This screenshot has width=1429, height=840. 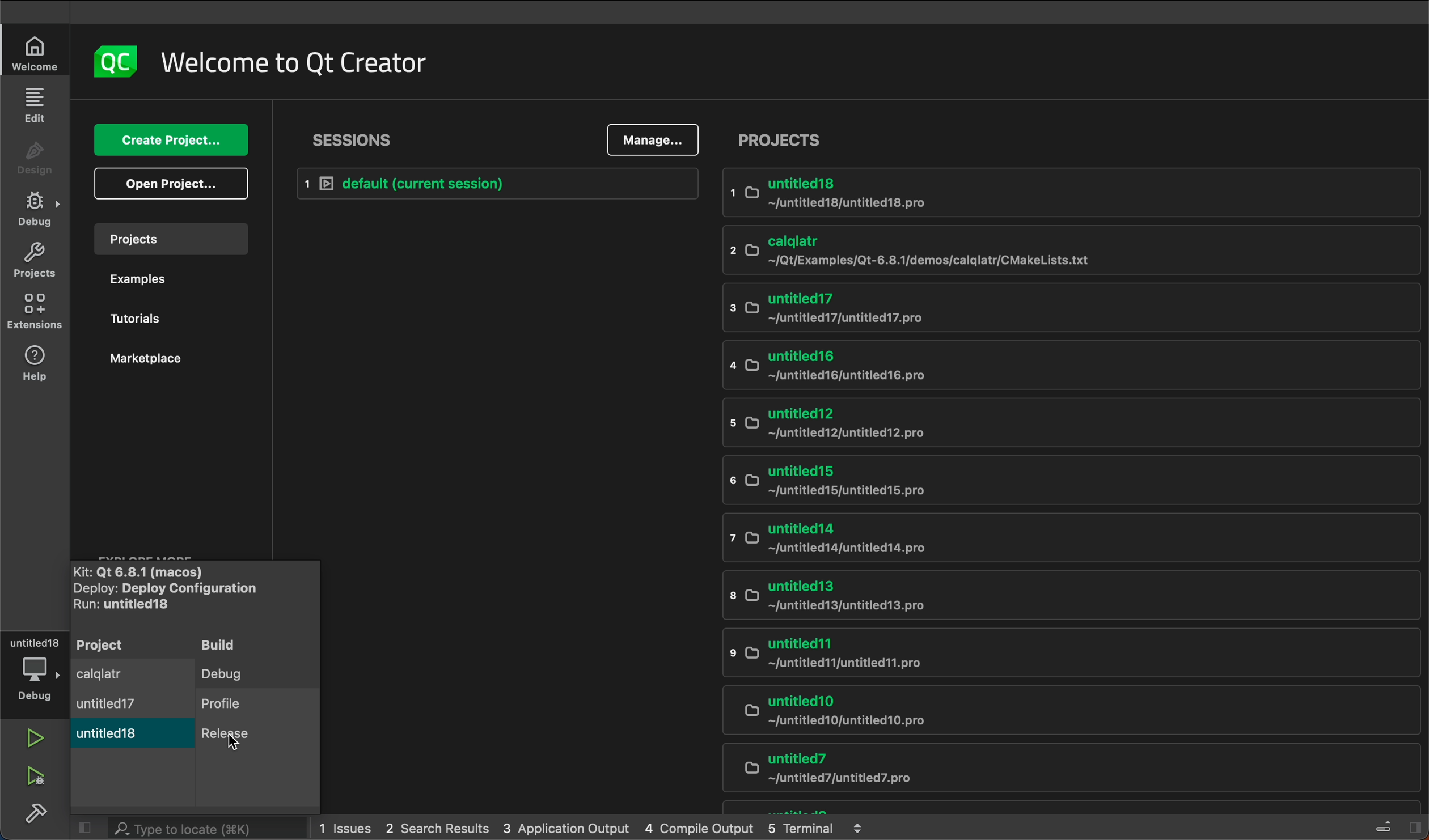 What do you see at coordinates (37, 105) in the screenshot?
I see `edit` at bounding box center [37, 105].